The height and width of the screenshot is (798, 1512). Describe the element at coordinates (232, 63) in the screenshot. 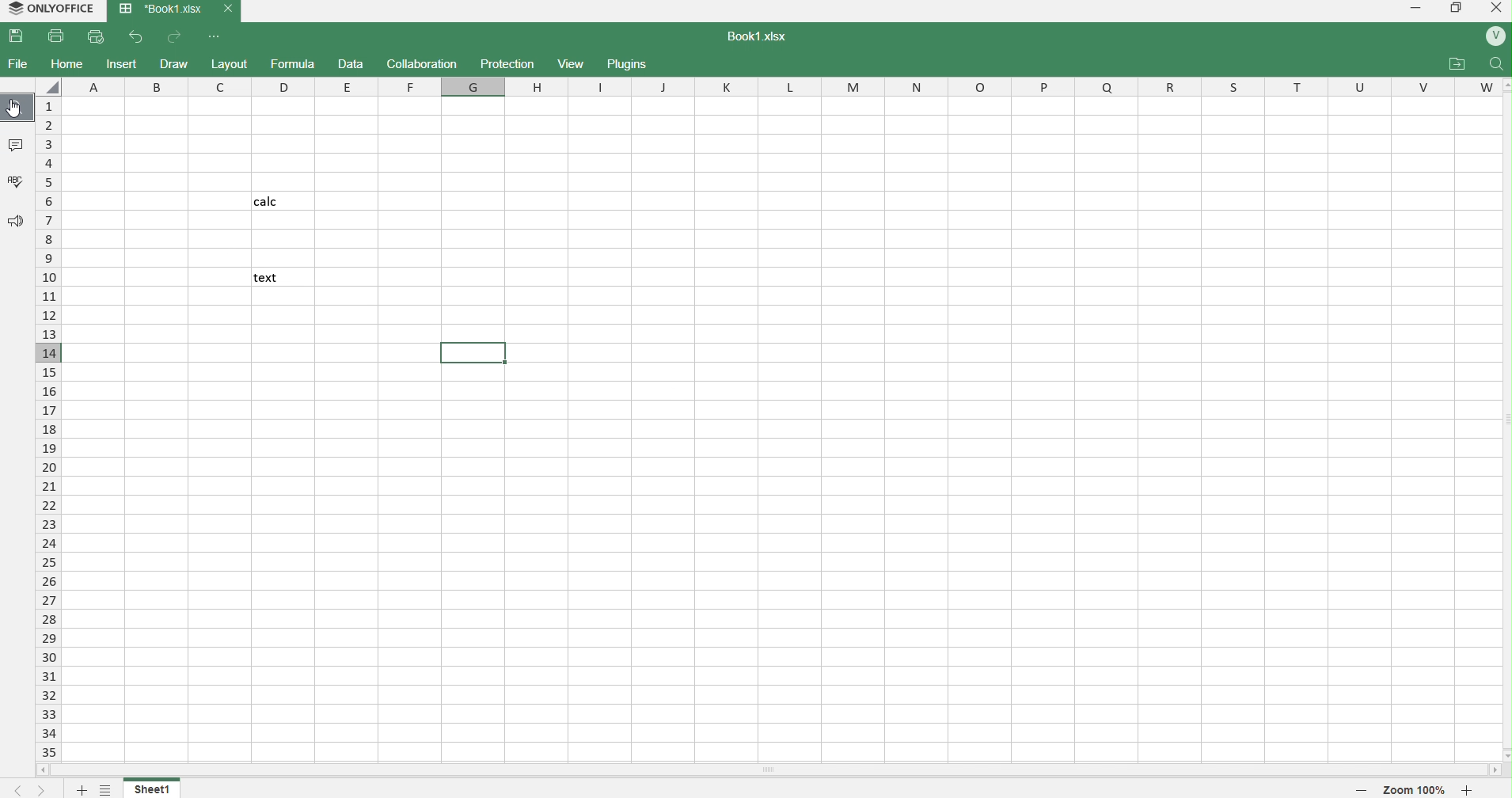

I see `layout` at that location.